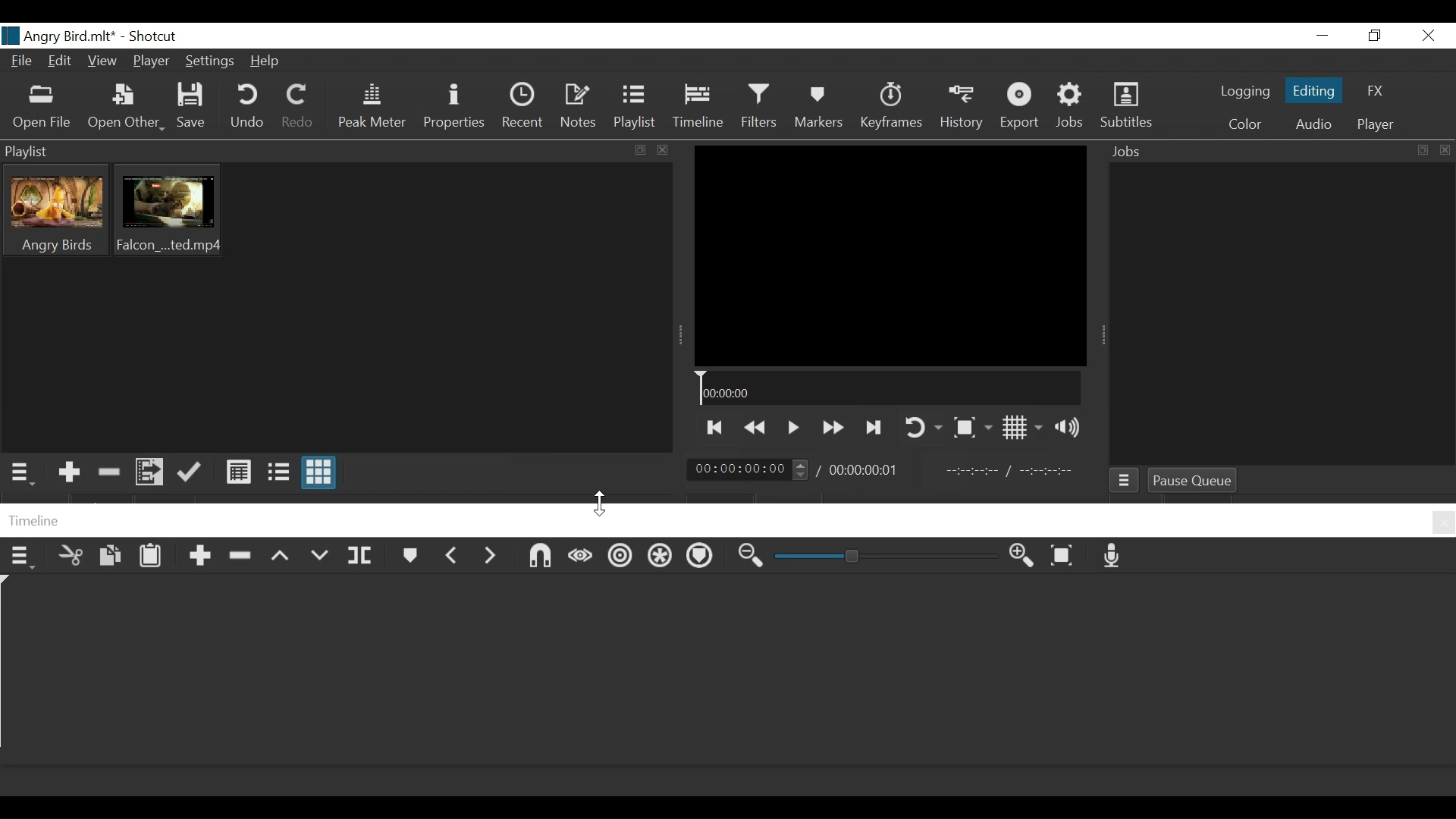 The image size is (1456, 819). I want to click on Subtitles, so click(1129, 106).